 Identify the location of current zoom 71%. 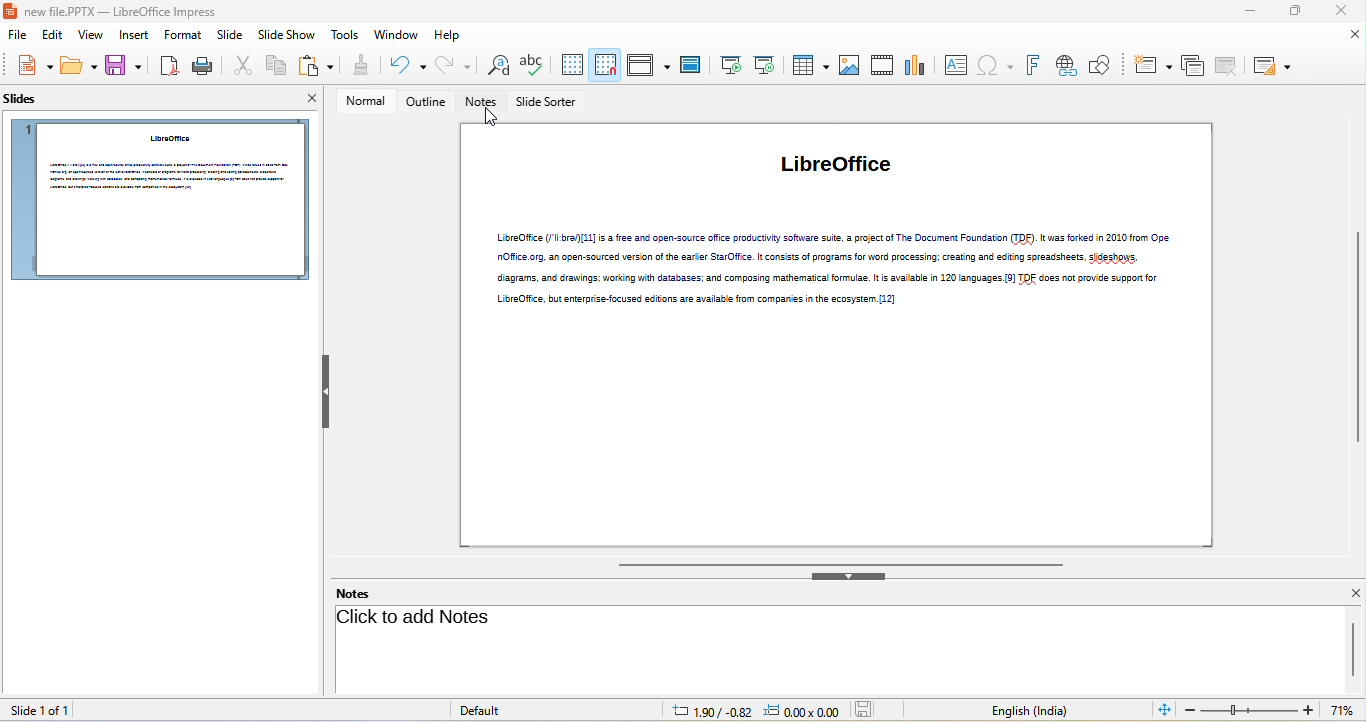
(1347, 711).